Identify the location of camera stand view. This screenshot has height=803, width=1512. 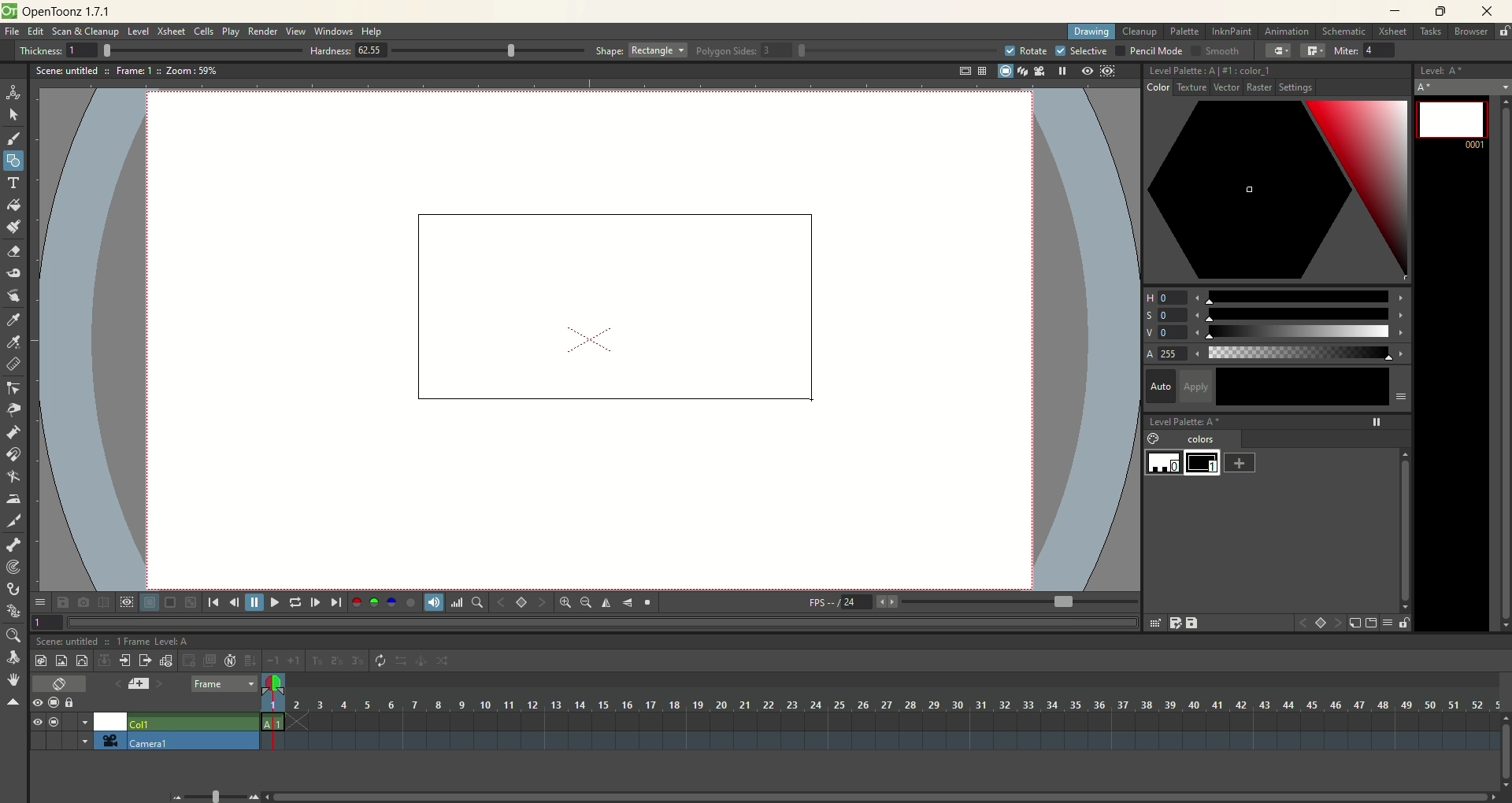
(1002, 72).